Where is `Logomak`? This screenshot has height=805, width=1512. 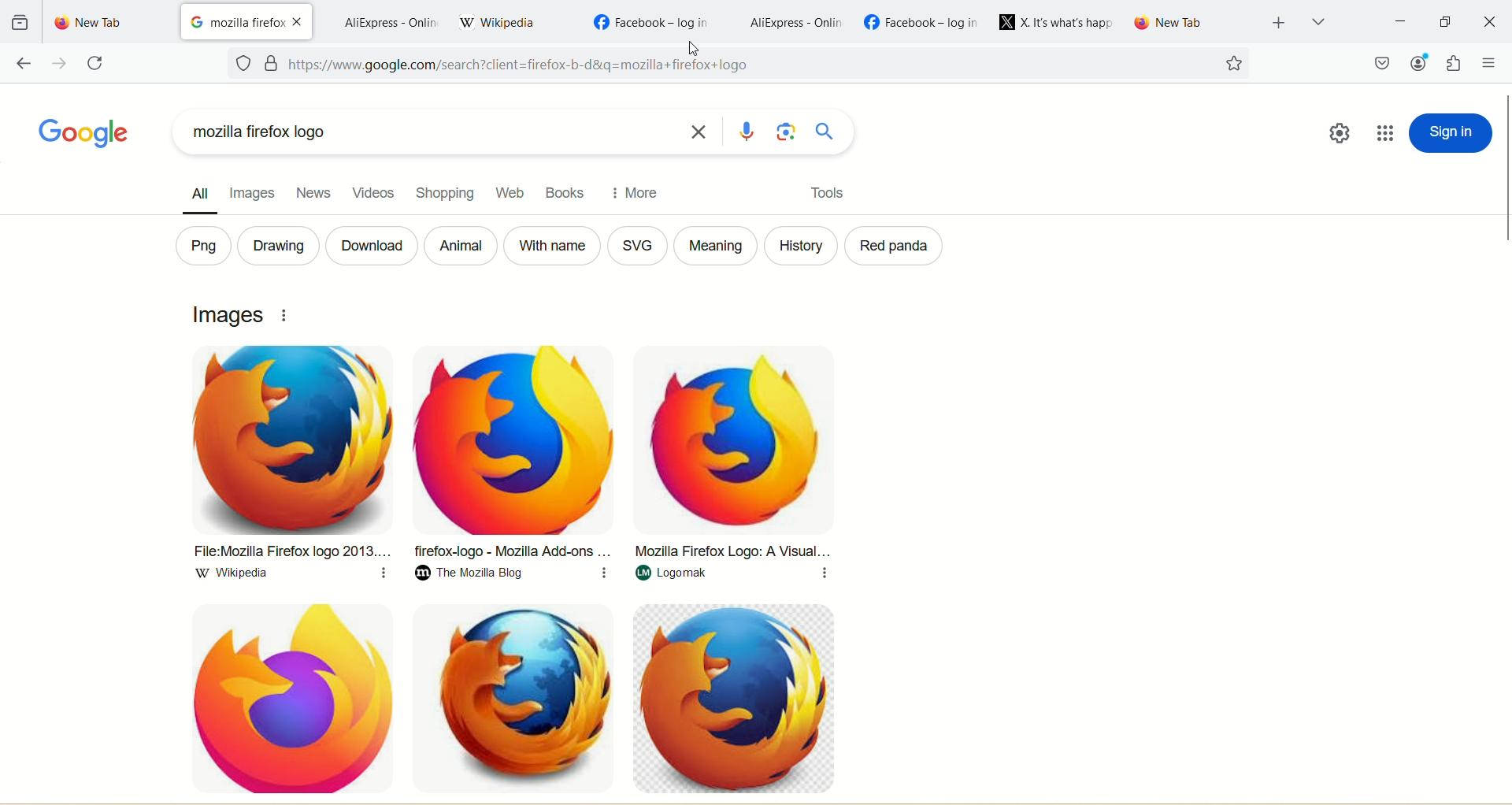
Logomak is located at coordinates (729, 577).